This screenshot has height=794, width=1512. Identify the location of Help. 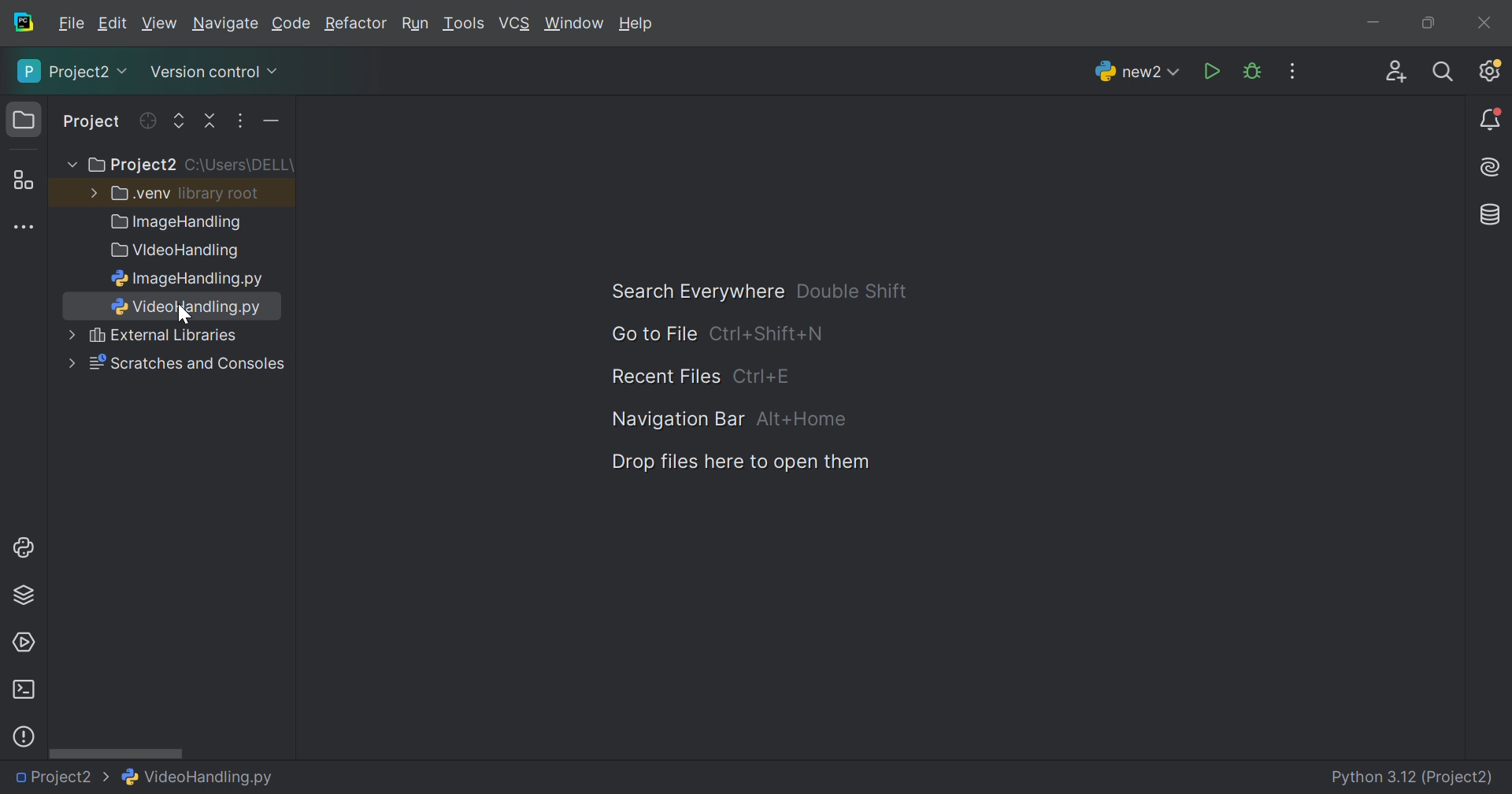
(637, 23).